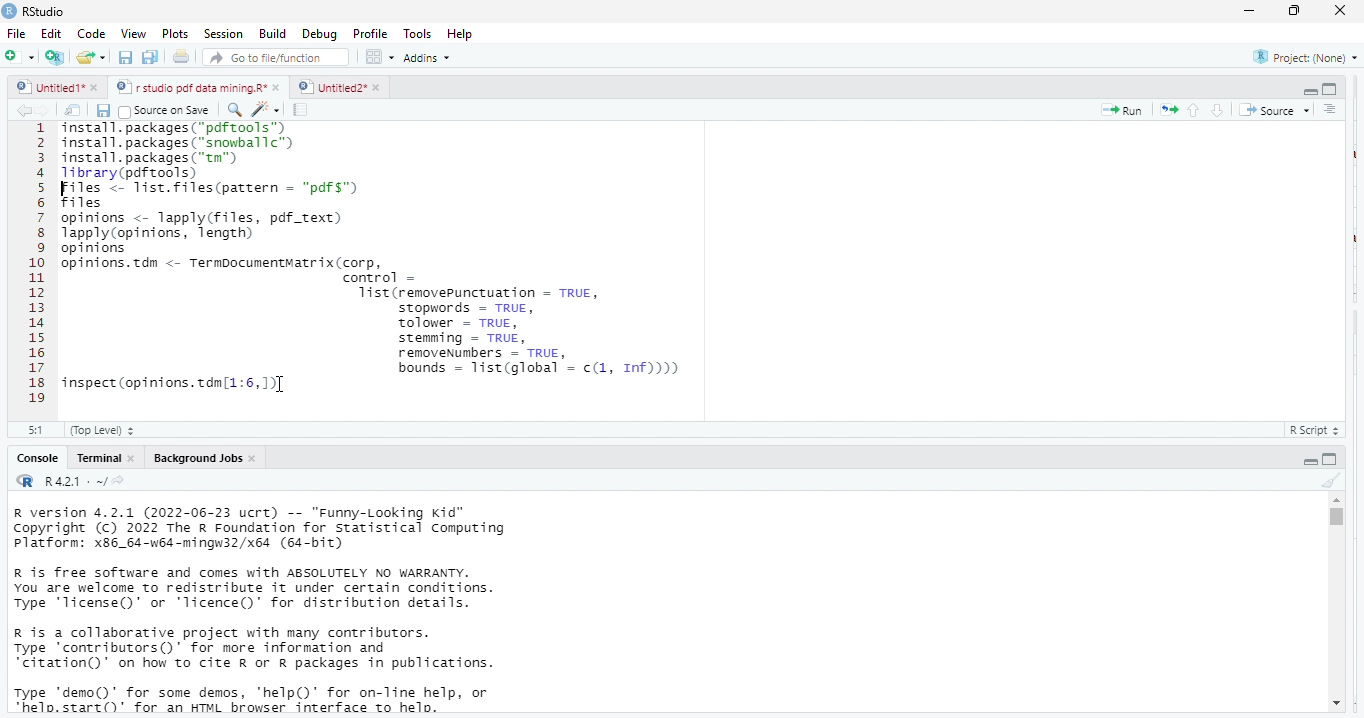  What do you see at coordinates (36, 458) in the screenshot?
I see `console` at bounding box center [36, 458].